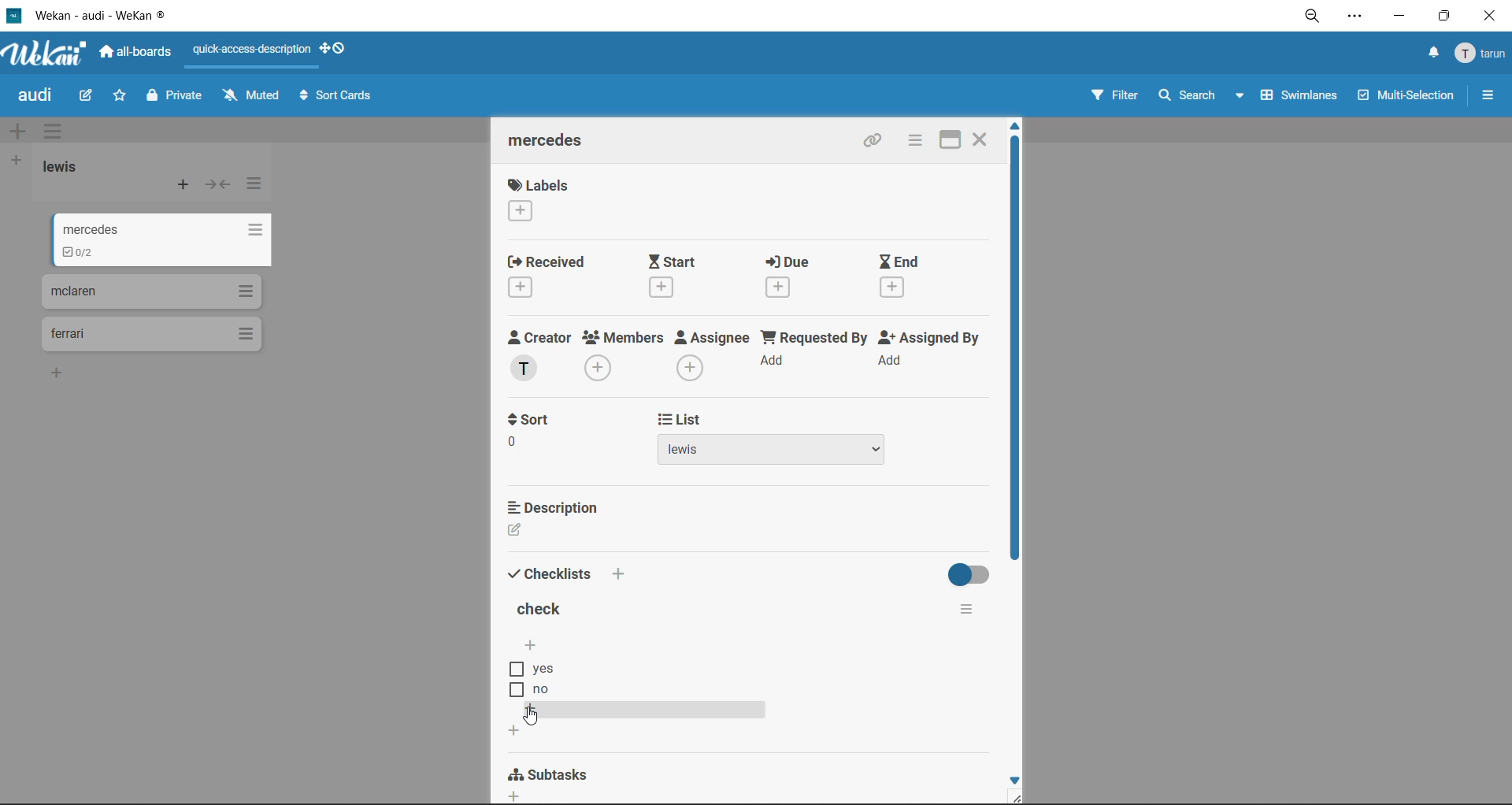 The width and height of the screenshot is (1512, 805). I want to click on label, so click(541, 184).